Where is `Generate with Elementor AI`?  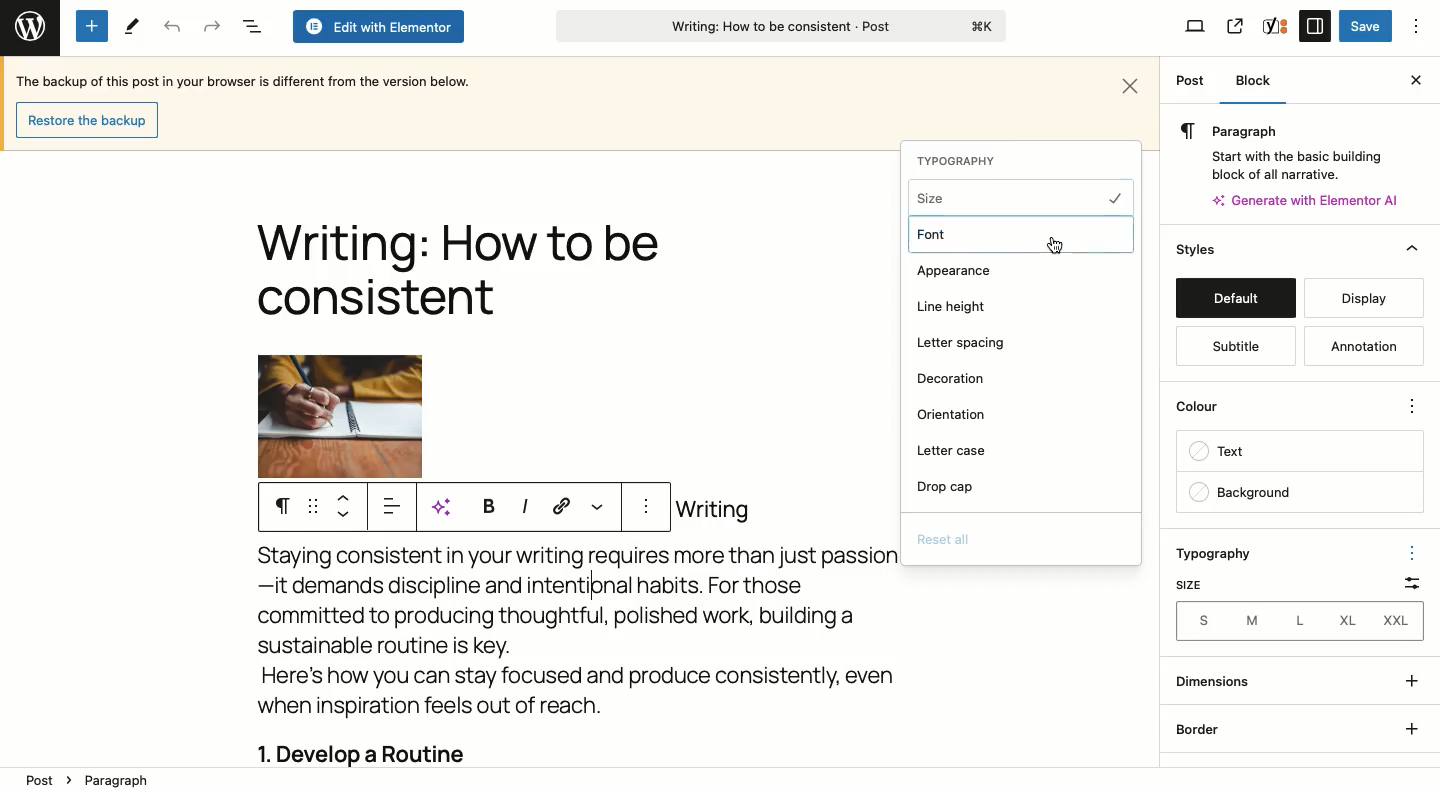 Generate with Elementor AI is located at coordinates (1307, 200).